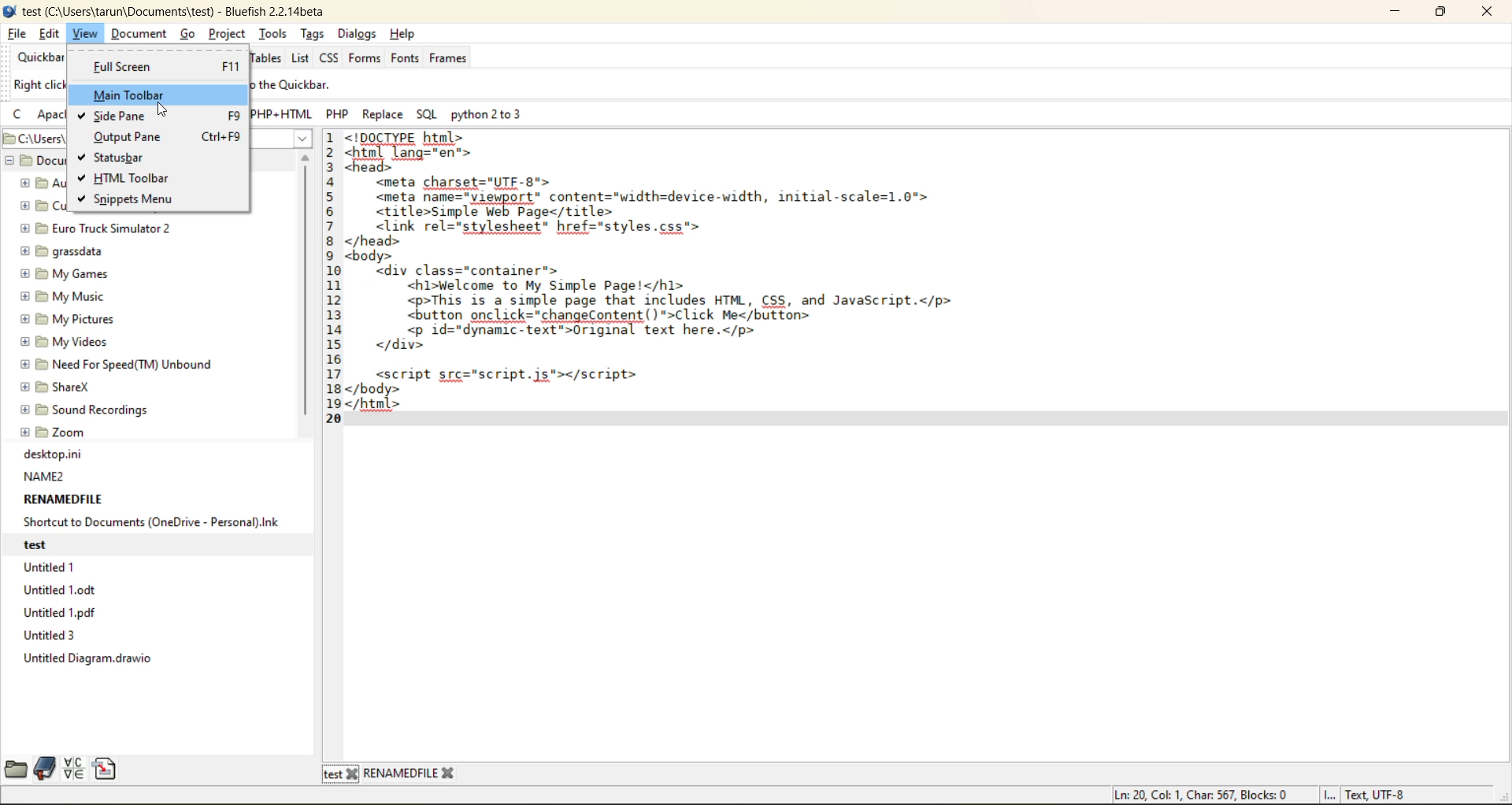  I want to click on @# P* Sound Recordinas, so click(86, 410).